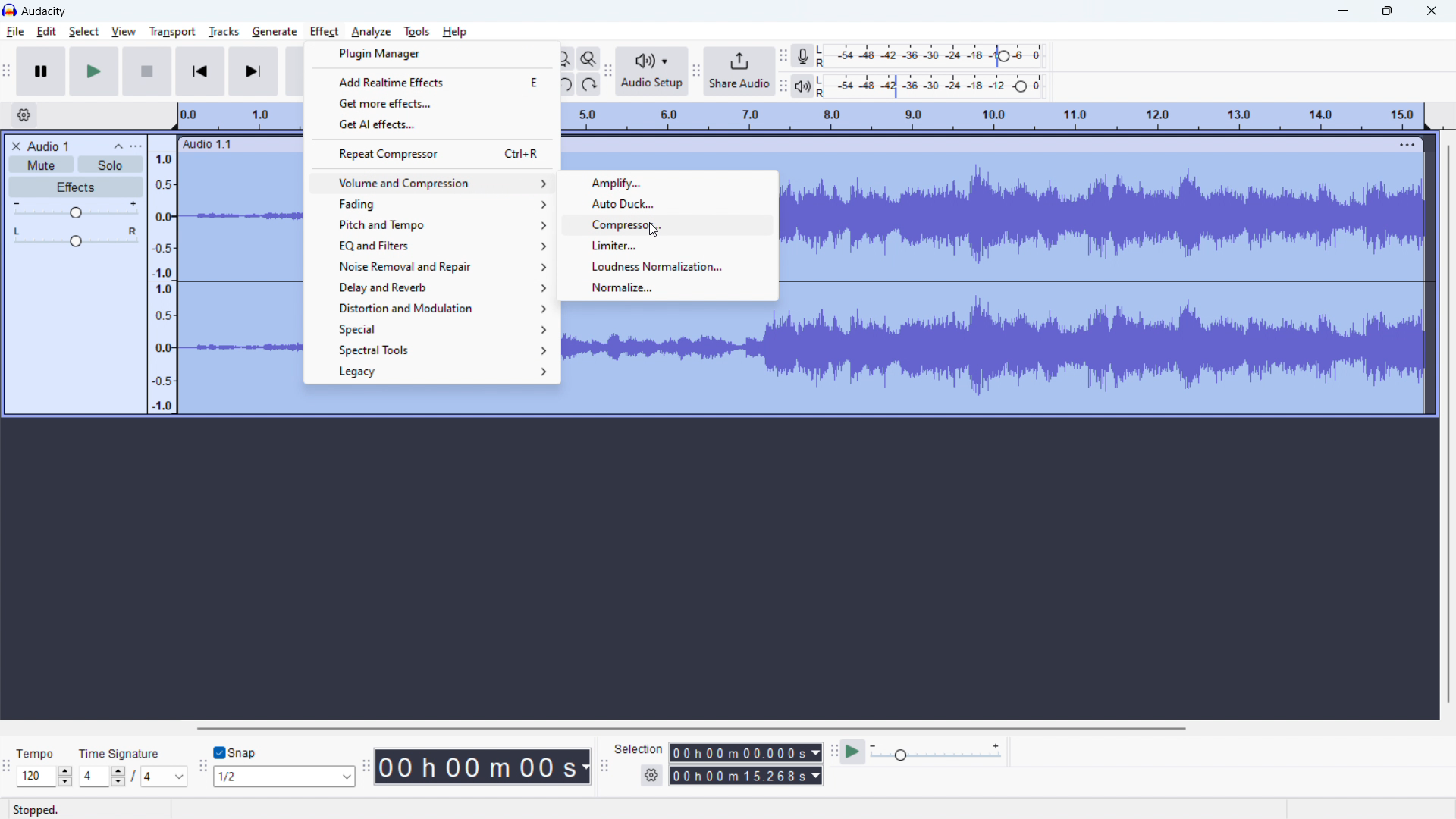 Image resolution: width=1456 pixels, height=819 pixels. I want to click on skip to end, so click(255, 72).